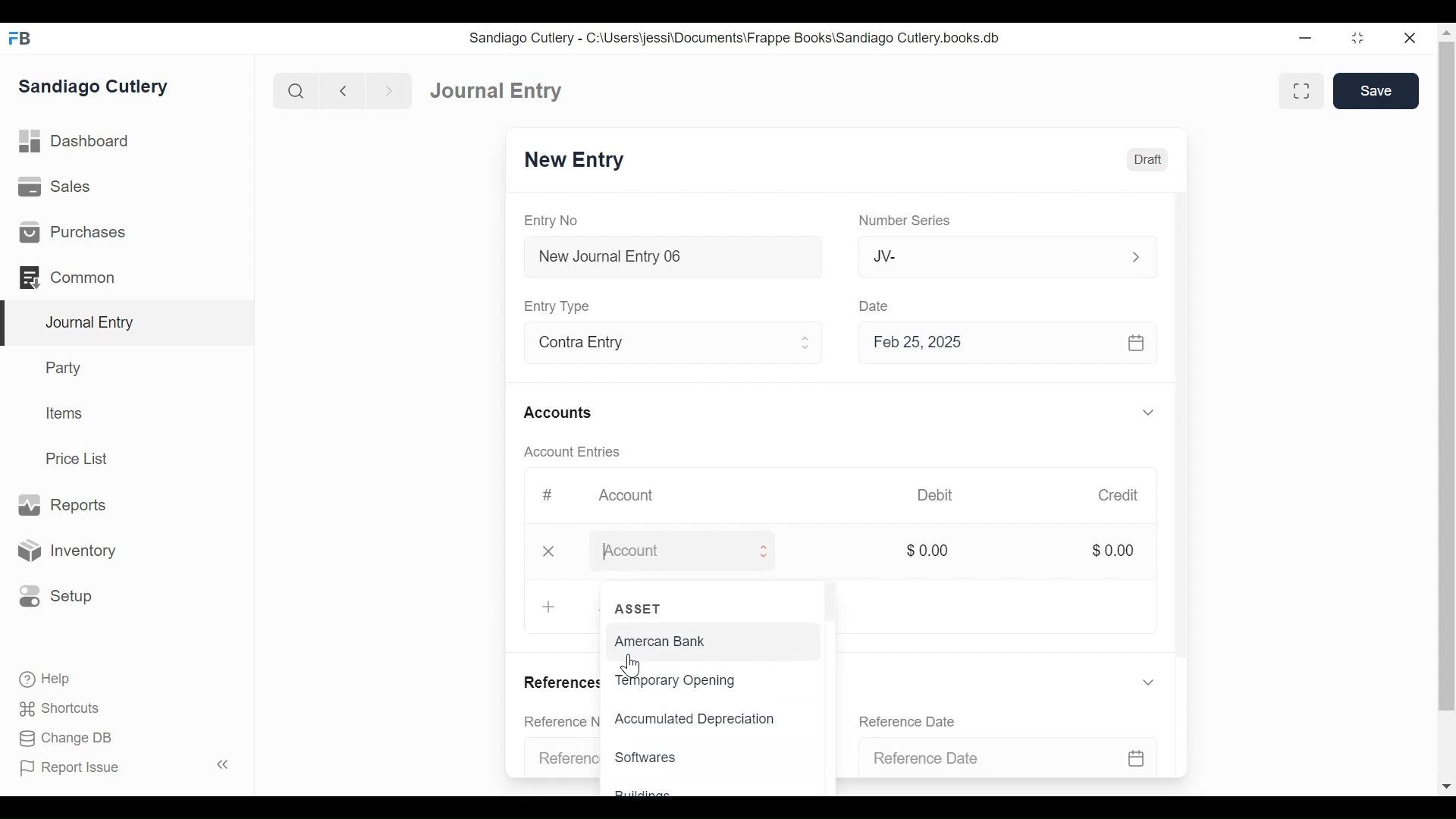 The width and height of the screenshot is (1456, 819). I want to click on Toggle between form and full width, so click(1302, 90).